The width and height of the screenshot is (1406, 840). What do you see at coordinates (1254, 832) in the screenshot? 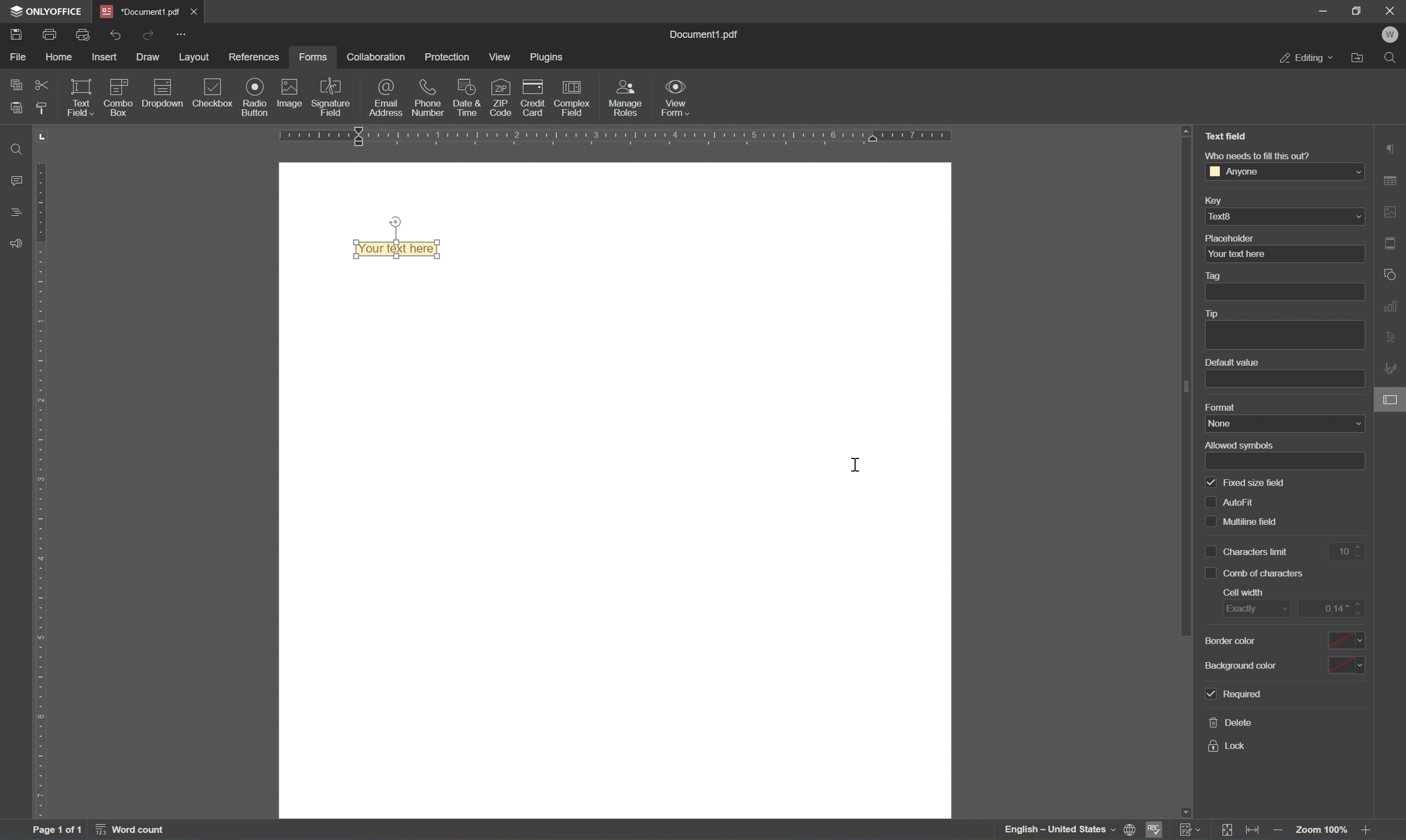
I see `fit to width` at bounding box center [1254, 832].